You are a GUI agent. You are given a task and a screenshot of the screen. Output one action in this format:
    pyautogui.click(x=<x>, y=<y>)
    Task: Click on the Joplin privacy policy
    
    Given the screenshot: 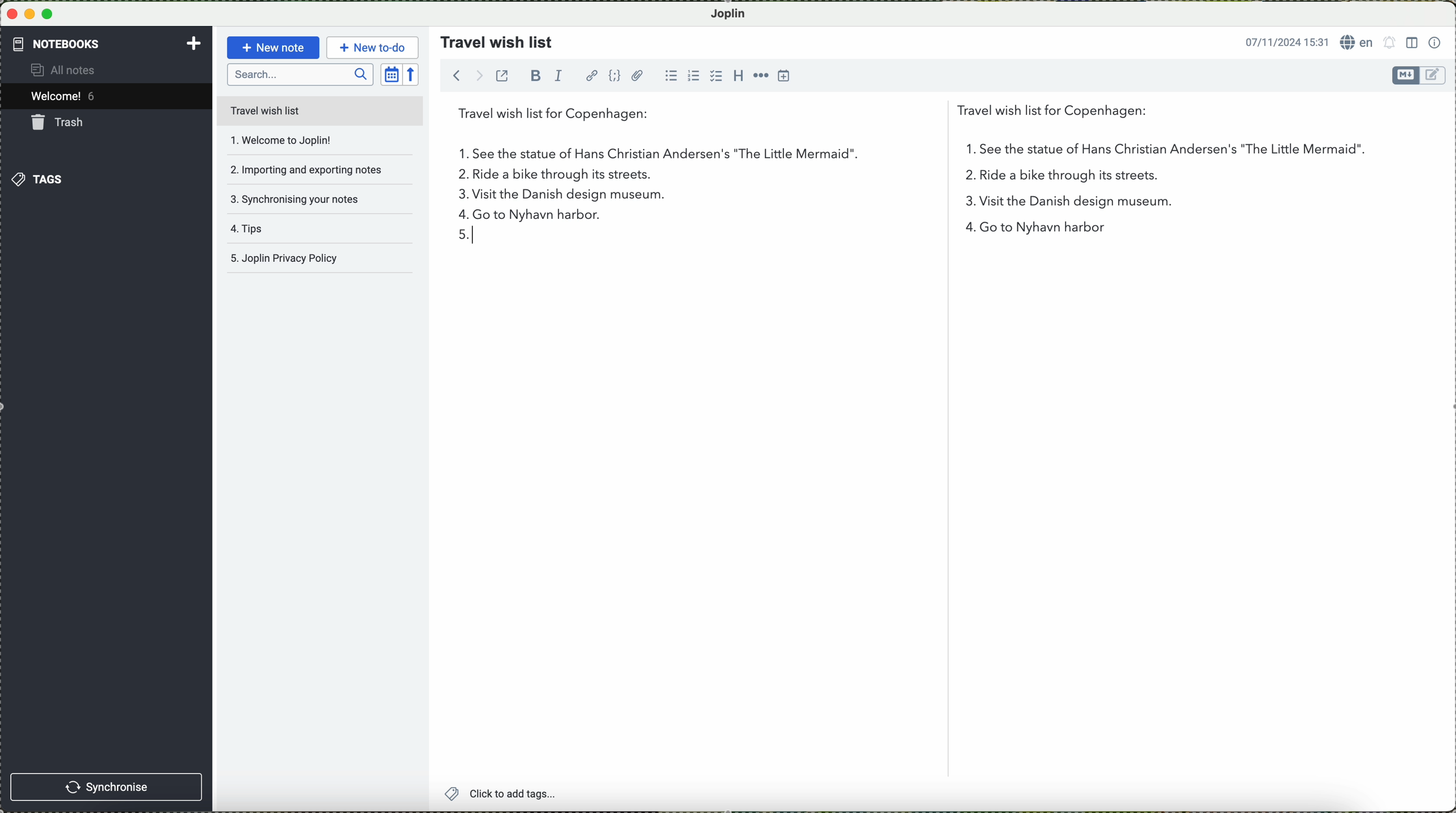 What is the action you would take?
    pyautogui.click(x=317, y=261)
    